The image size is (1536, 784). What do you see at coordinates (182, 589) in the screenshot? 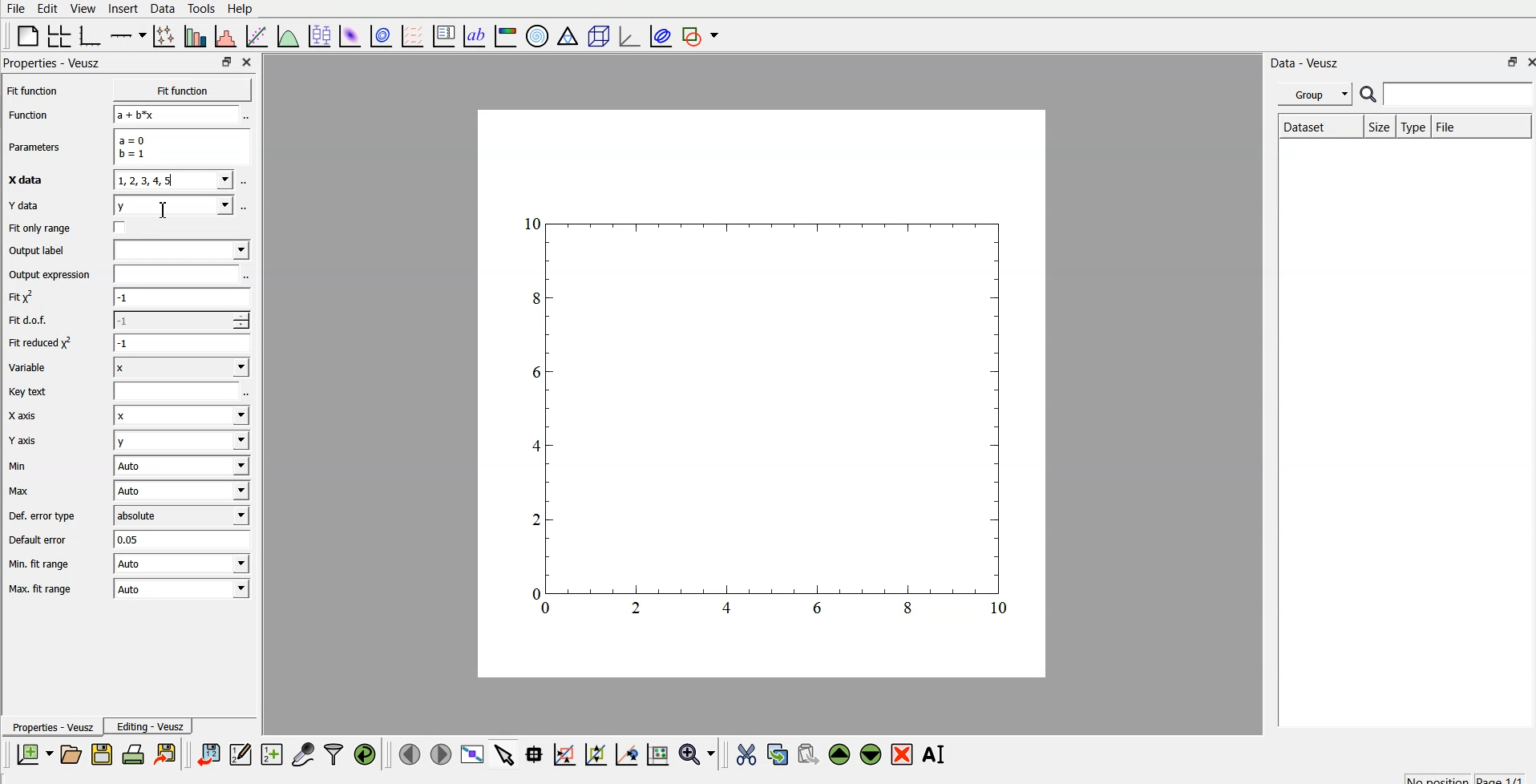
I see `Auto` at bounding box center [182, 589].